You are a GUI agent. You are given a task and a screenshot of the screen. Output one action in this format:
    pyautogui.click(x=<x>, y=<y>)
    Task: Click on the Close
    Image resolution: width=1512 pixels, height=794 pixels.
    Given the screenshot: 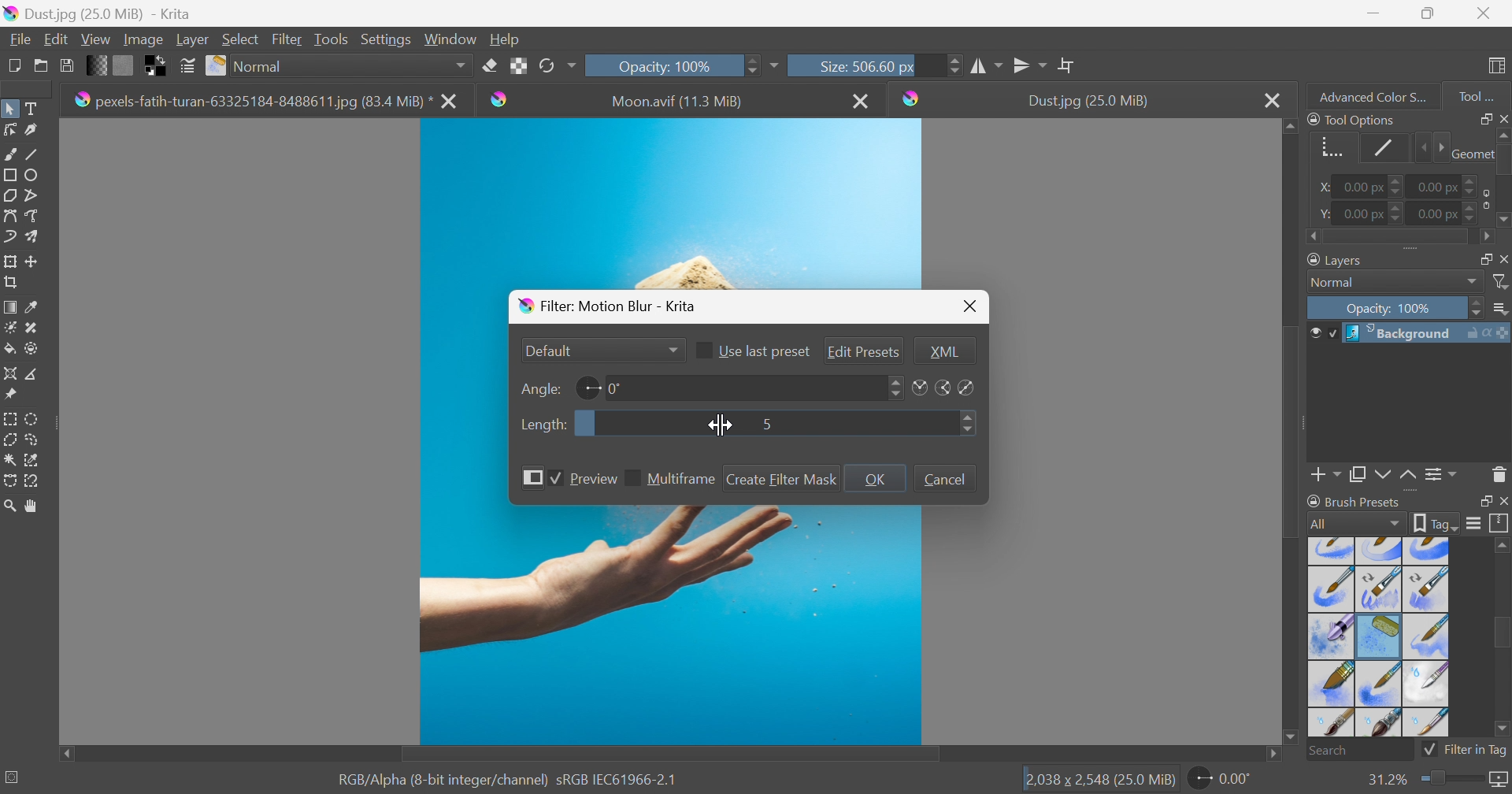 What is the action you would take?
    pyautogui.click(x=862, y=100)
    